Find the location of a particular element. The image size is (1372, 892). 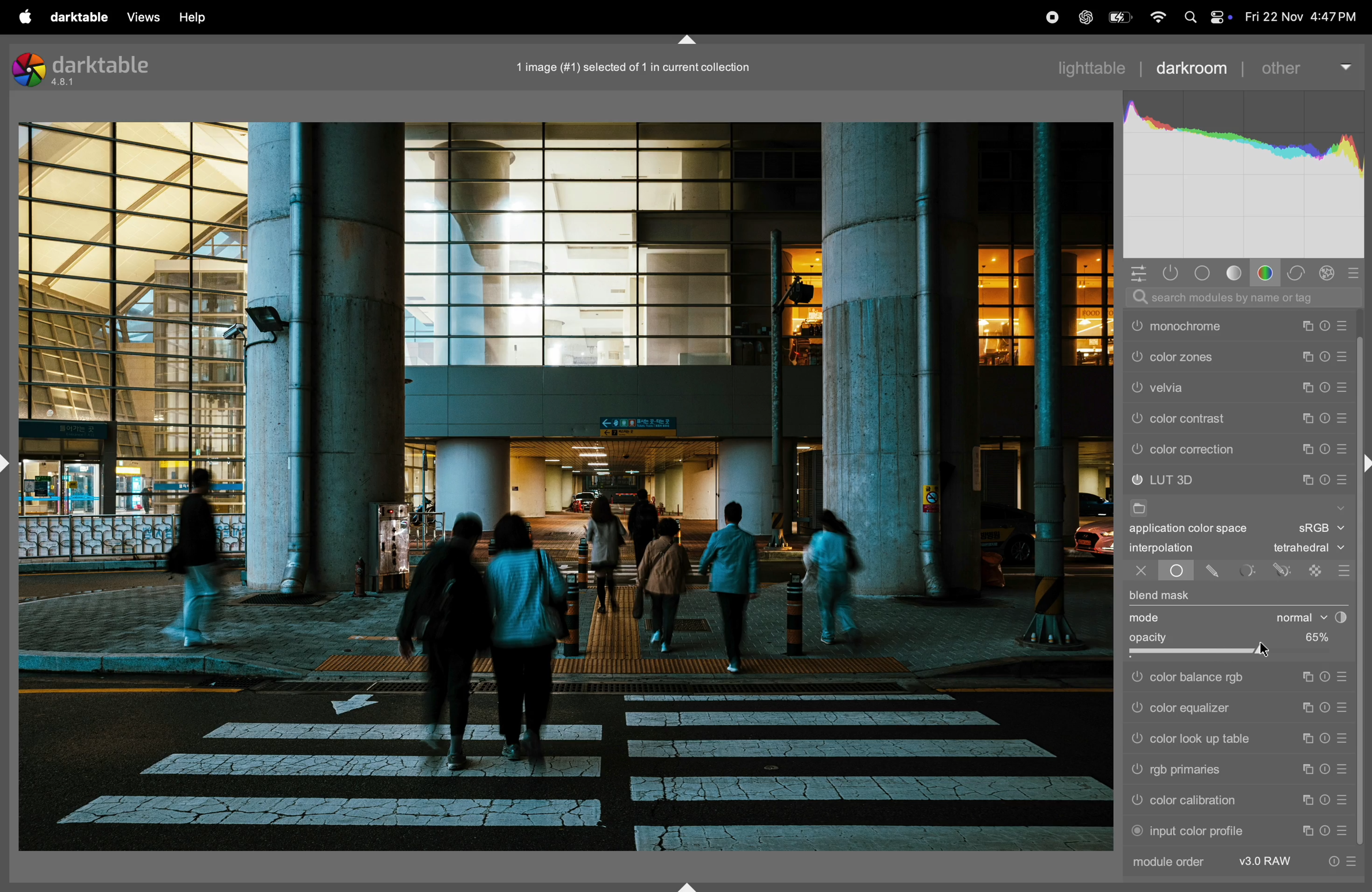

shift+ctrl+l is located at coordinates (9, 462).